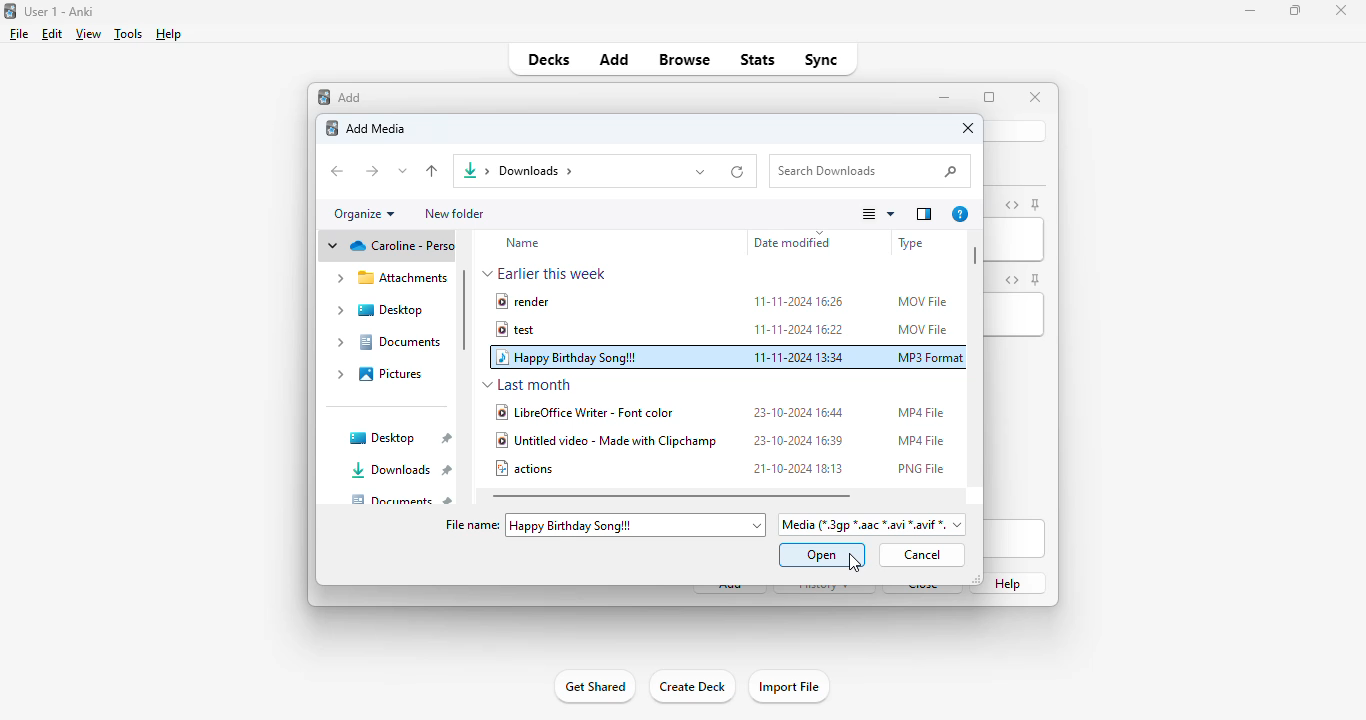  I want to click on 11-11-2024, so click(800, 330).